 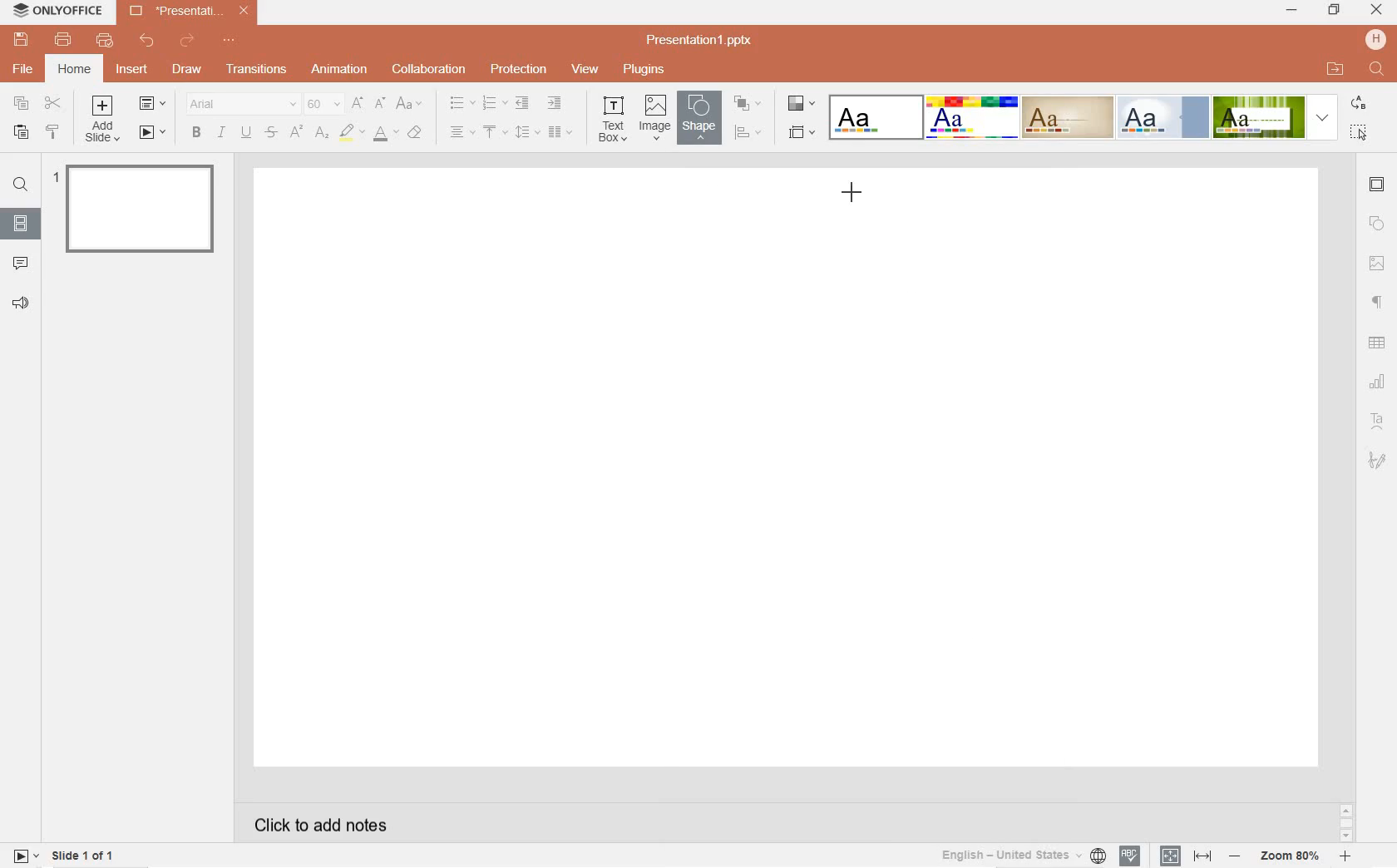 I want to click on ONLYOFFICE, so click(x=59, y=13).